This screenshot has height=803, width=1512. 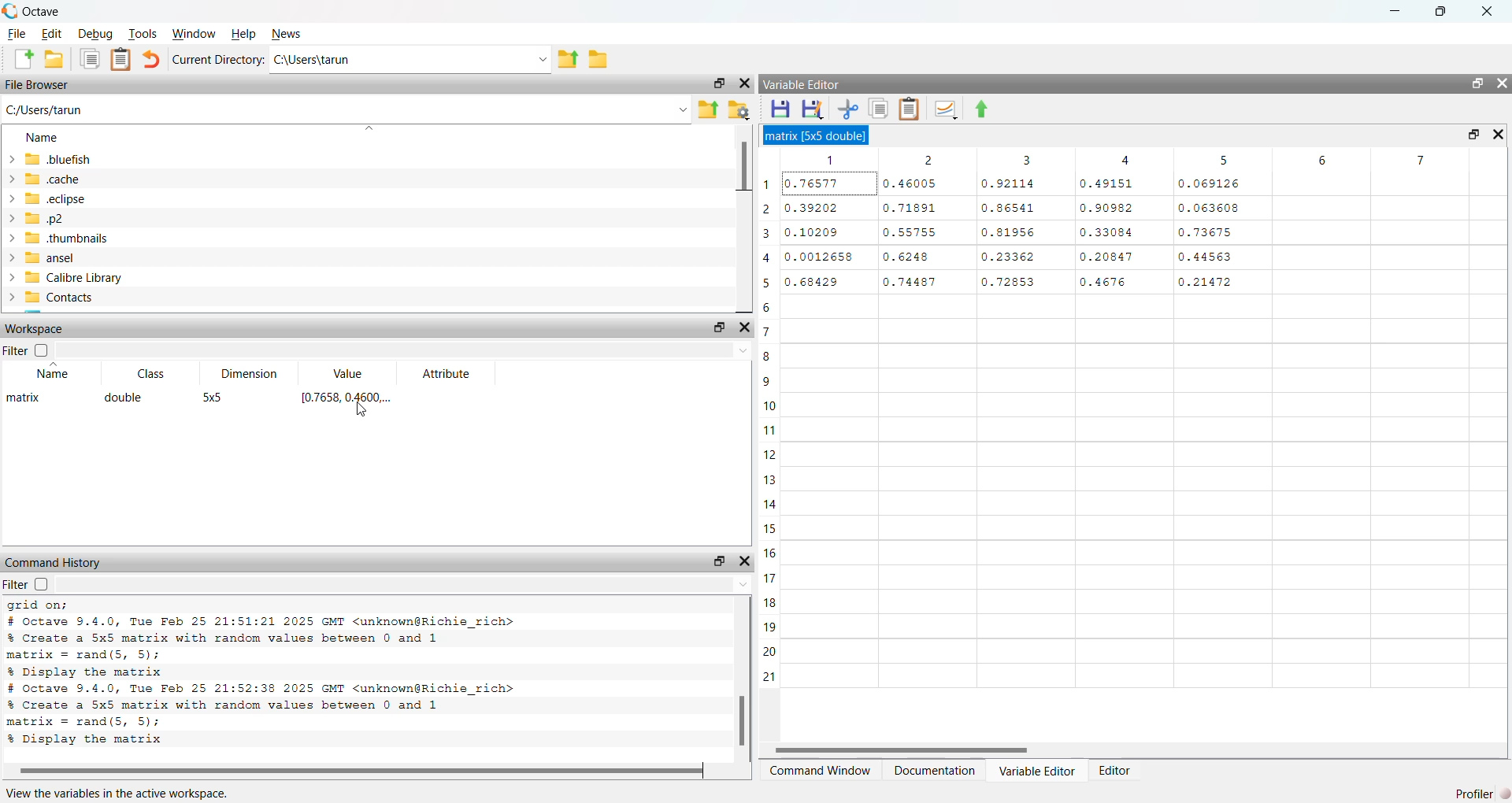 I want to click on thumbnails, so click(x=70, y=239).